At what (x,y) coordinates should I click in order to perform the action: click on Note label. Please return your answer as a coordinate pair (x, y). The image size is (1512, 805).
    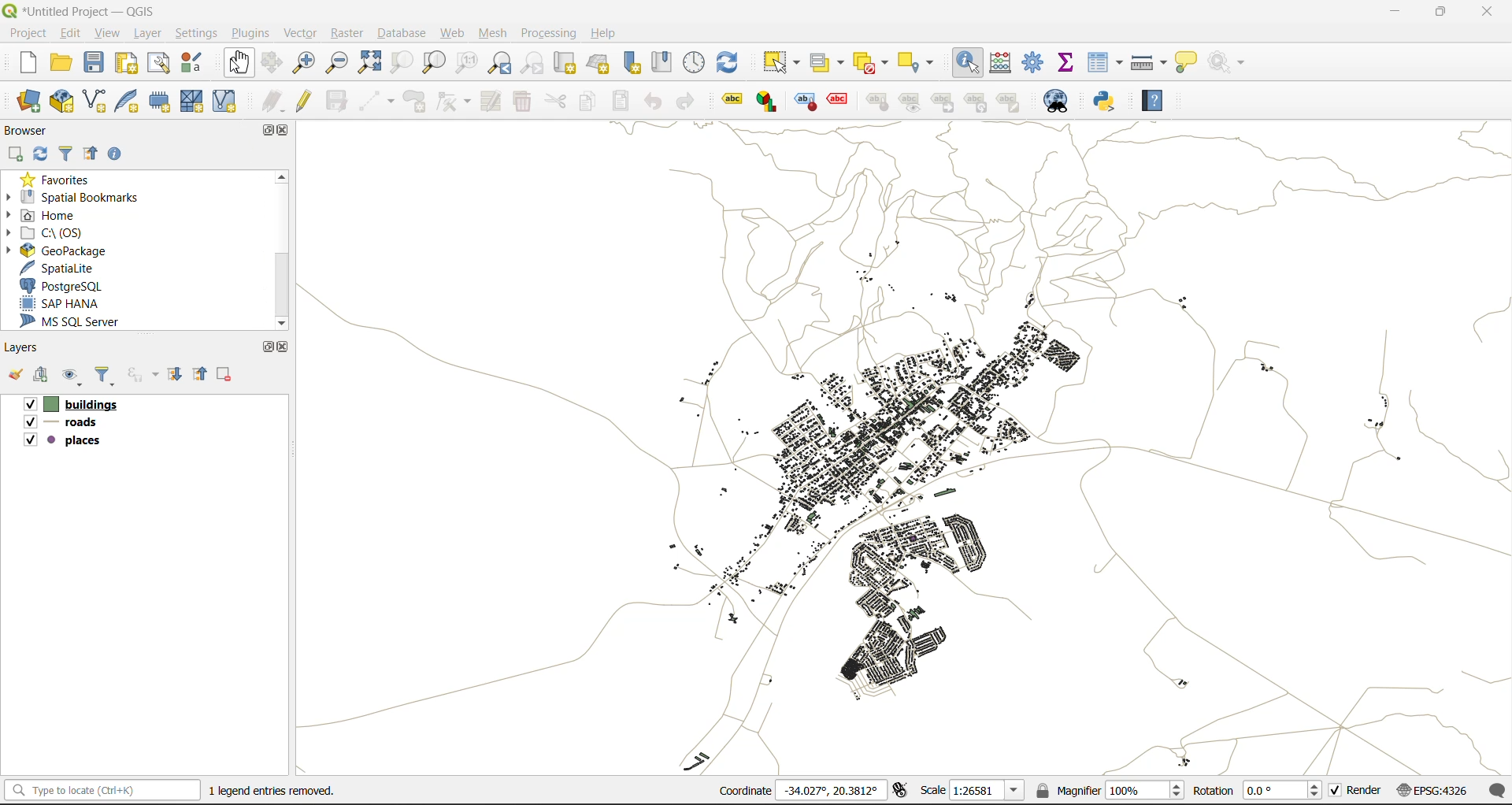
    Looking at the image, I should click on (1012, 101).